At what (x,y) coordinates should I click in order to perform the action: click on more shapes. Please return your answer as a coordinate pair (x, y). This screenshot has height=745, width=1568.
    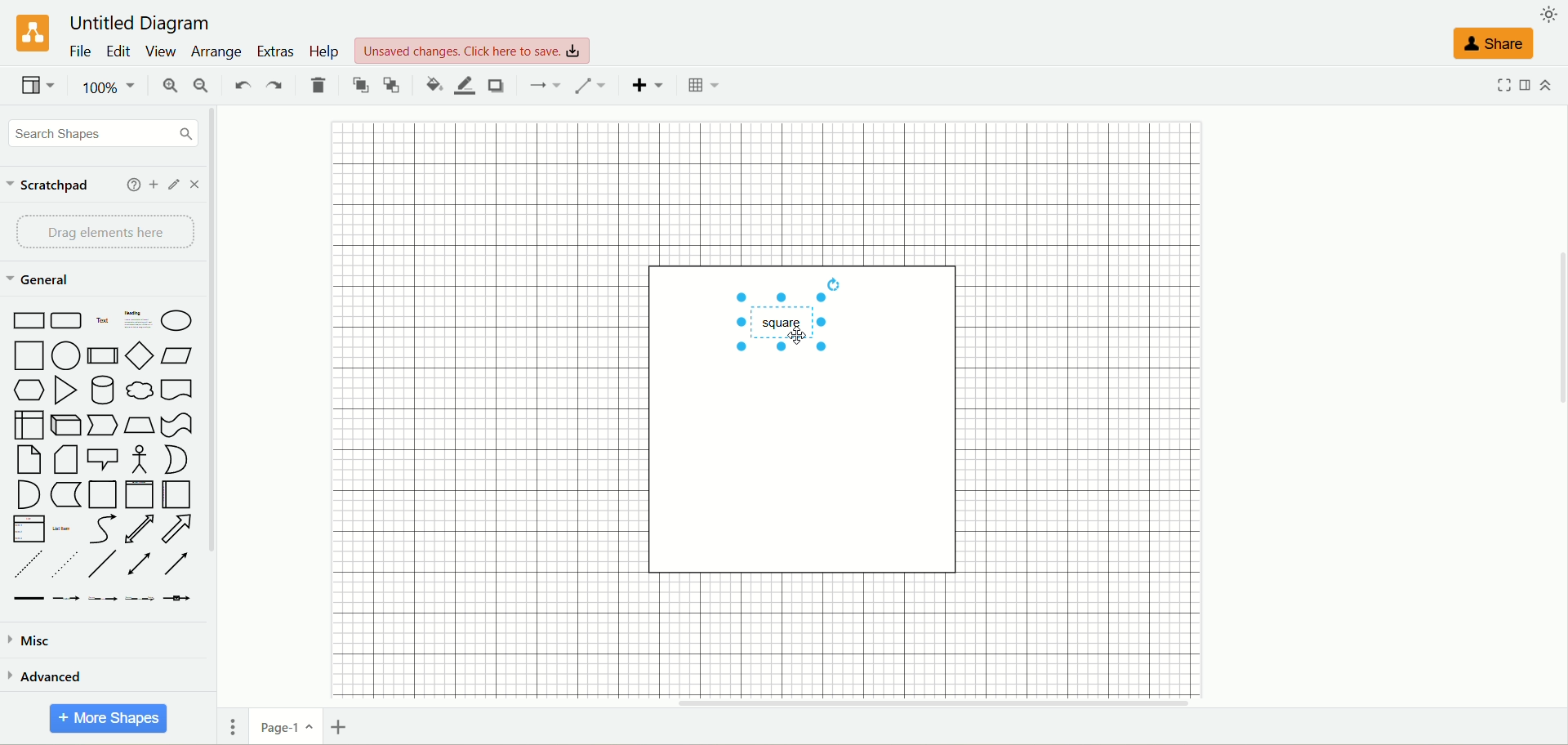
    Looking at the image, I should click on (110, 720).